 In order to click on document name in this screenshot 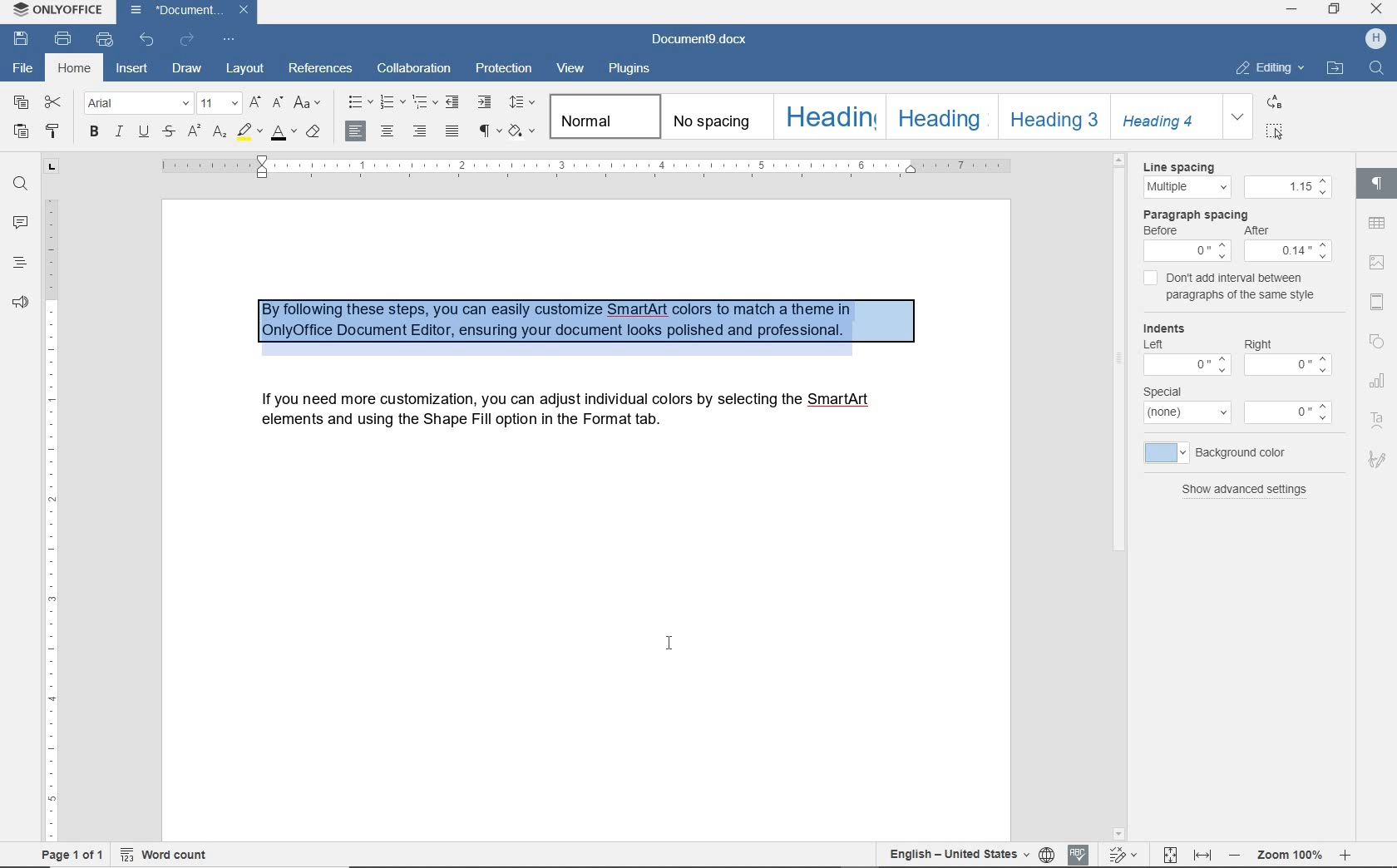, I will do `click(700, 36)`.